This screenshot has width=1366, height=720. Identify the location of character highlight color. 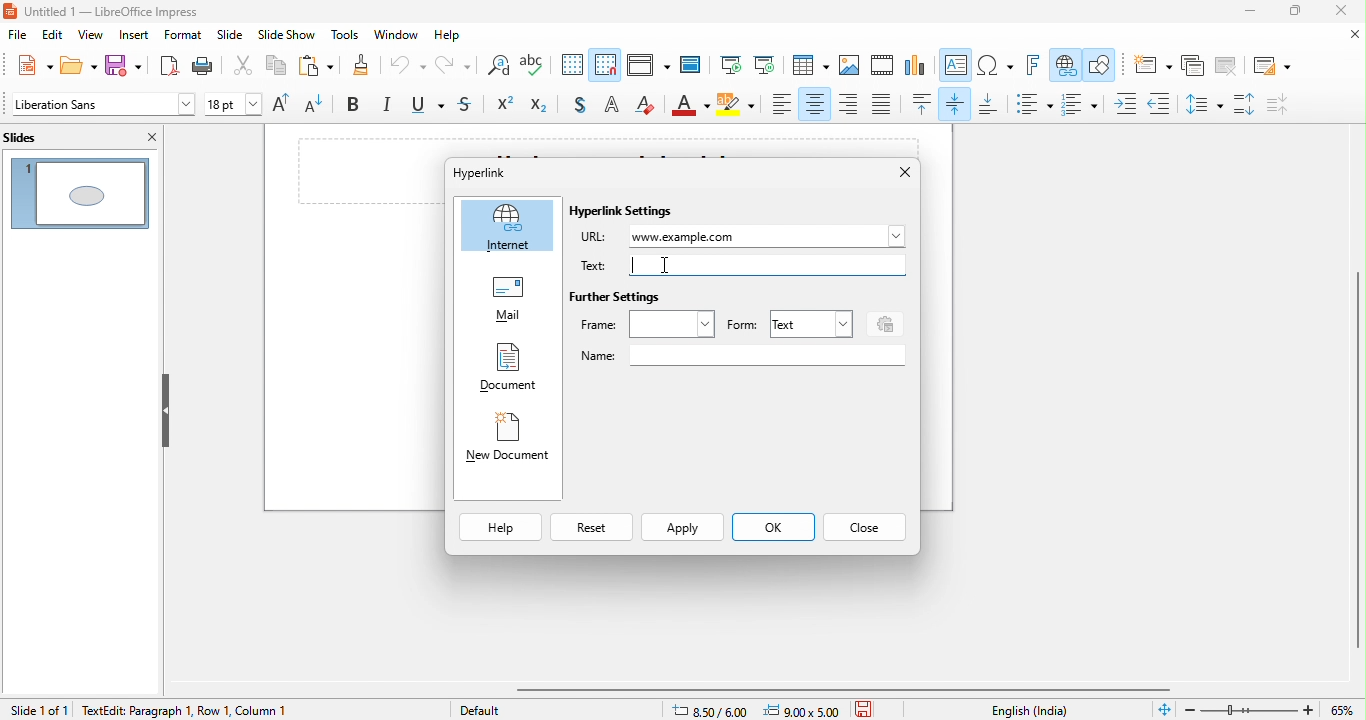
(738, 107).